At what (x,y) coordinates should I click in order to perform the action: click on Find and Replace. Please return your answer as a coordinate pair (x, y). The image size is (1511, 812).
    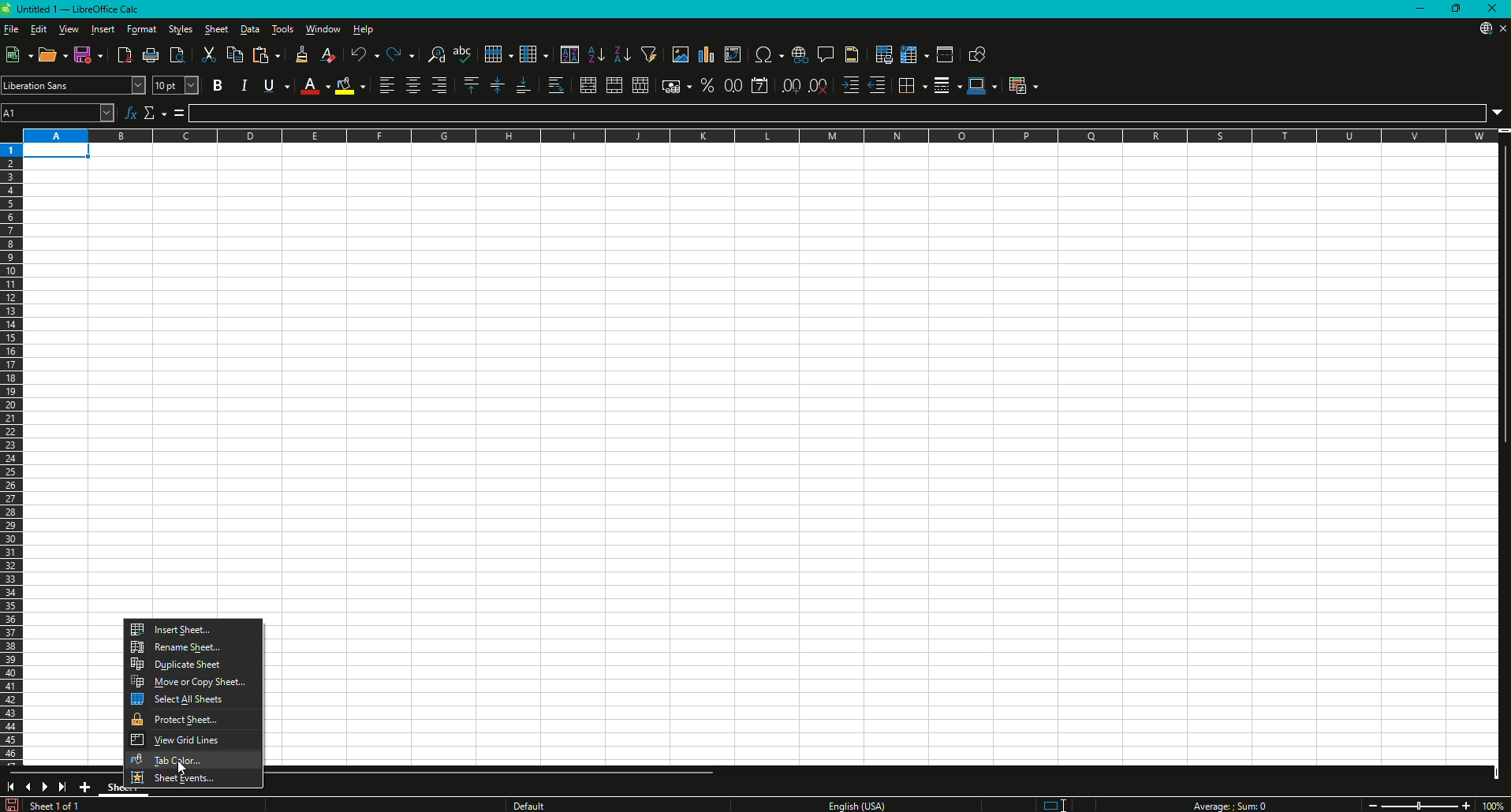
    Looking at the image, I should click on (435, 54).